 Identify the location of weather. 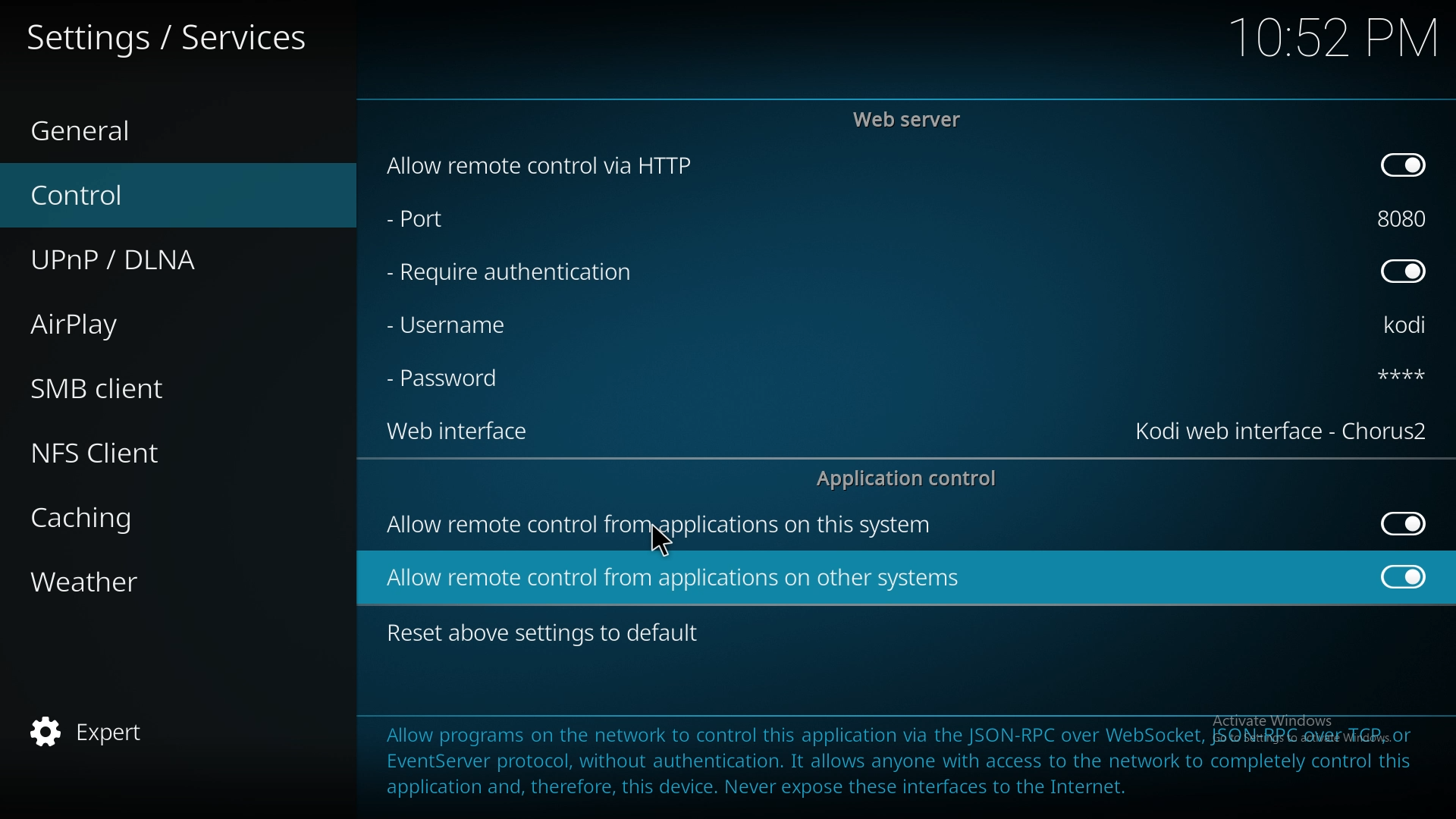
(158, 580).